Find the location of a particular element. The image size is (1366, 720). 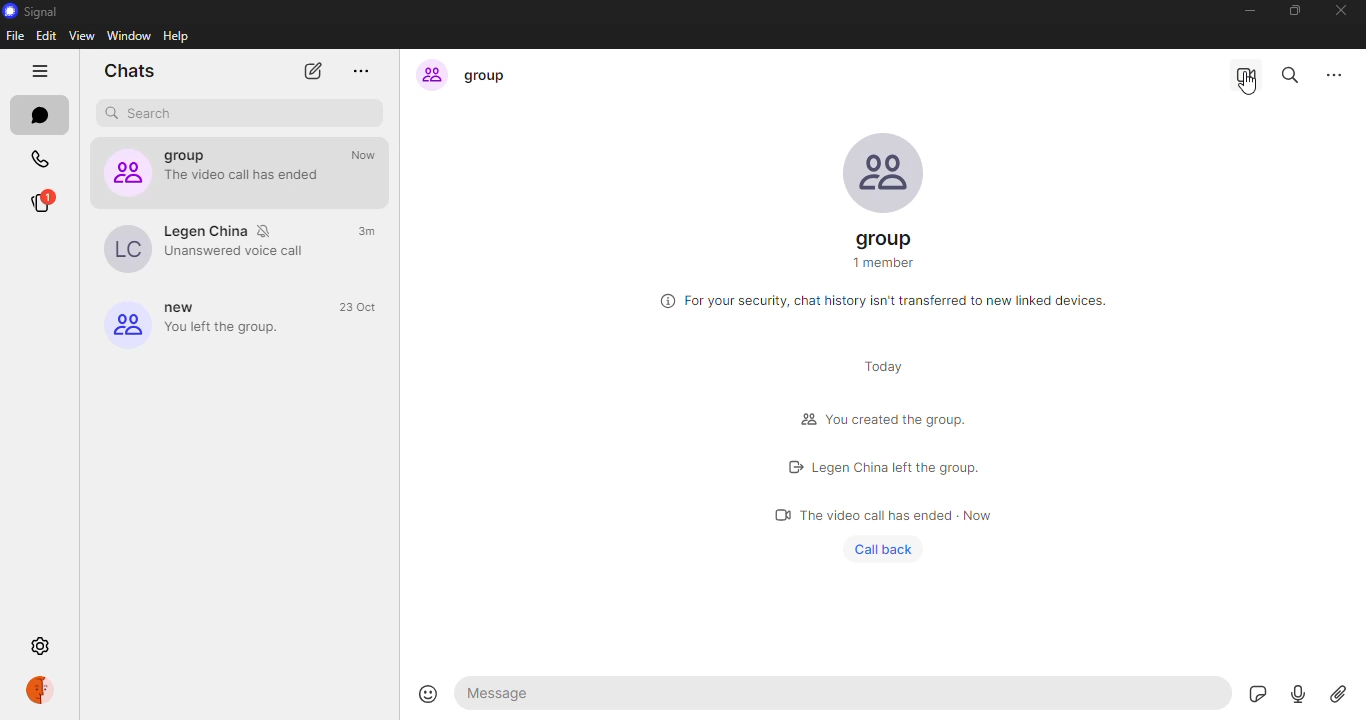

For your security, chat history isn't transferred to new linked devices. is located at coordinates (905, 299).